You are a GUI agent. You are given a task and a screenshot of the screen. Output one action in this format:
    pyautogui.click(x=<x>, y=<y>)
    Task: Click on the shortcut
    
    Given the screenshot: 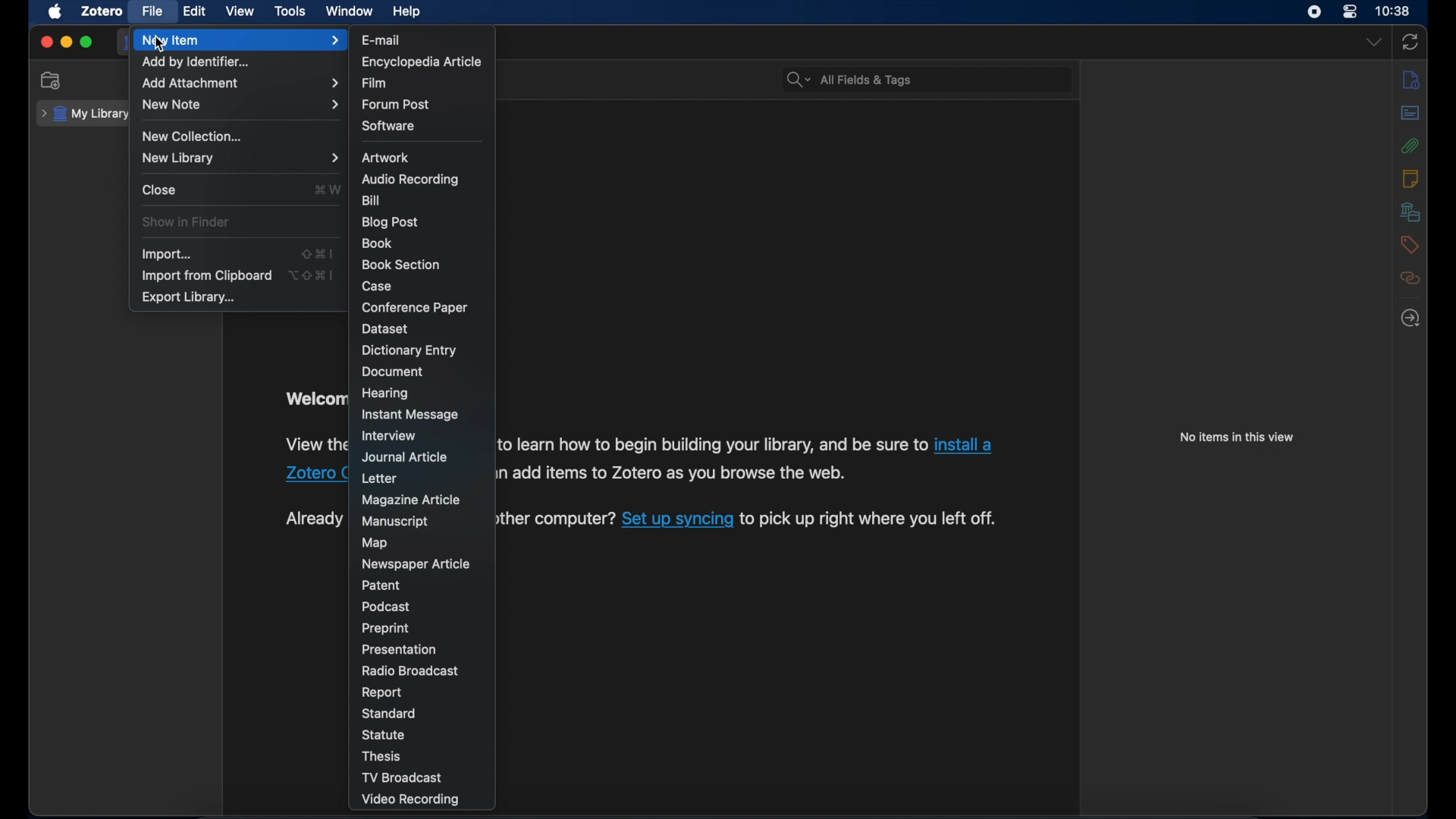 What is the action you would take?
    pyautogui.click(x=312, y=275)
    